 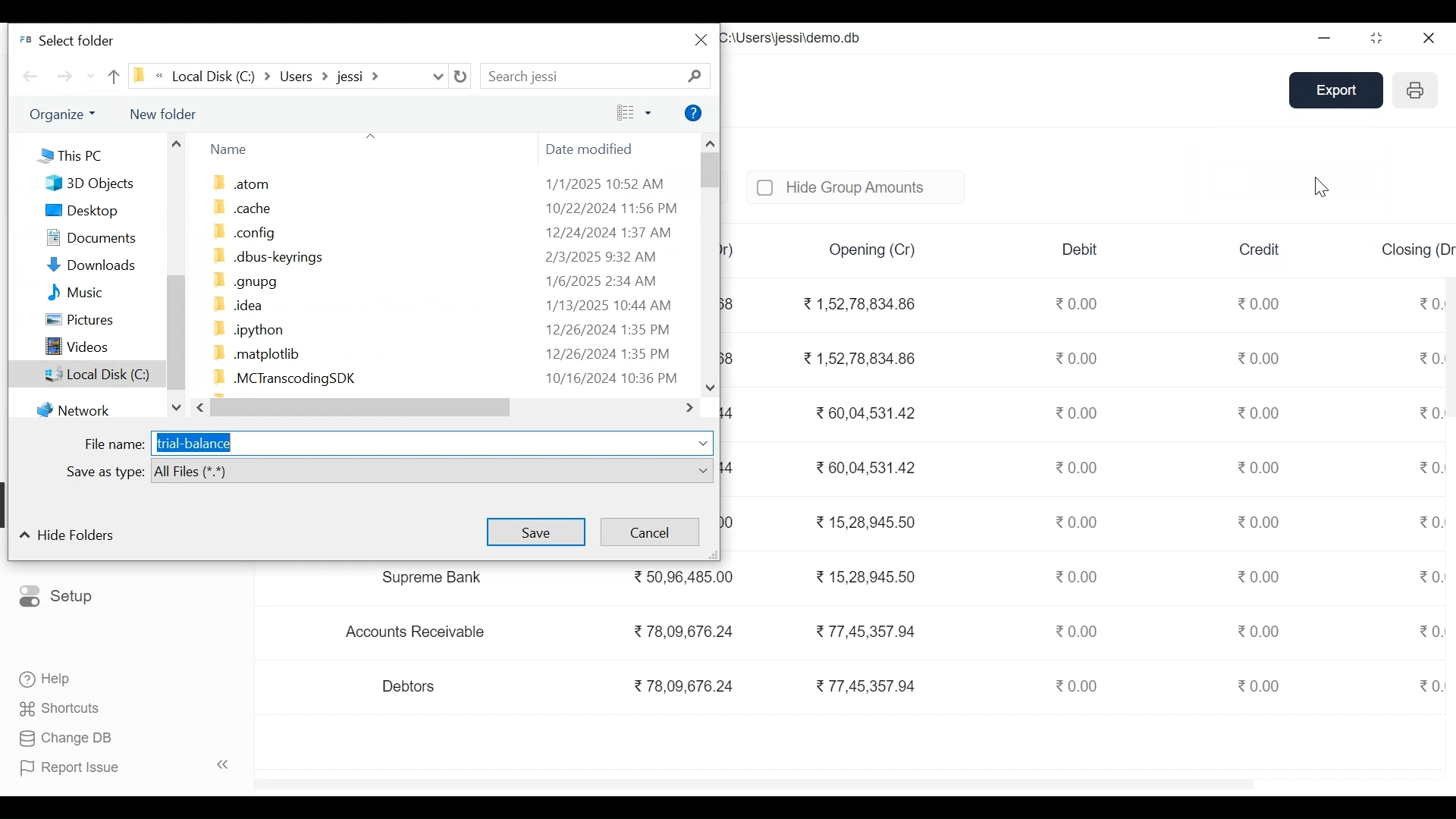 What do you see at coordinates (246, 329) in the screenshot?
I see `.ipython` at bounding box center [246, 329].